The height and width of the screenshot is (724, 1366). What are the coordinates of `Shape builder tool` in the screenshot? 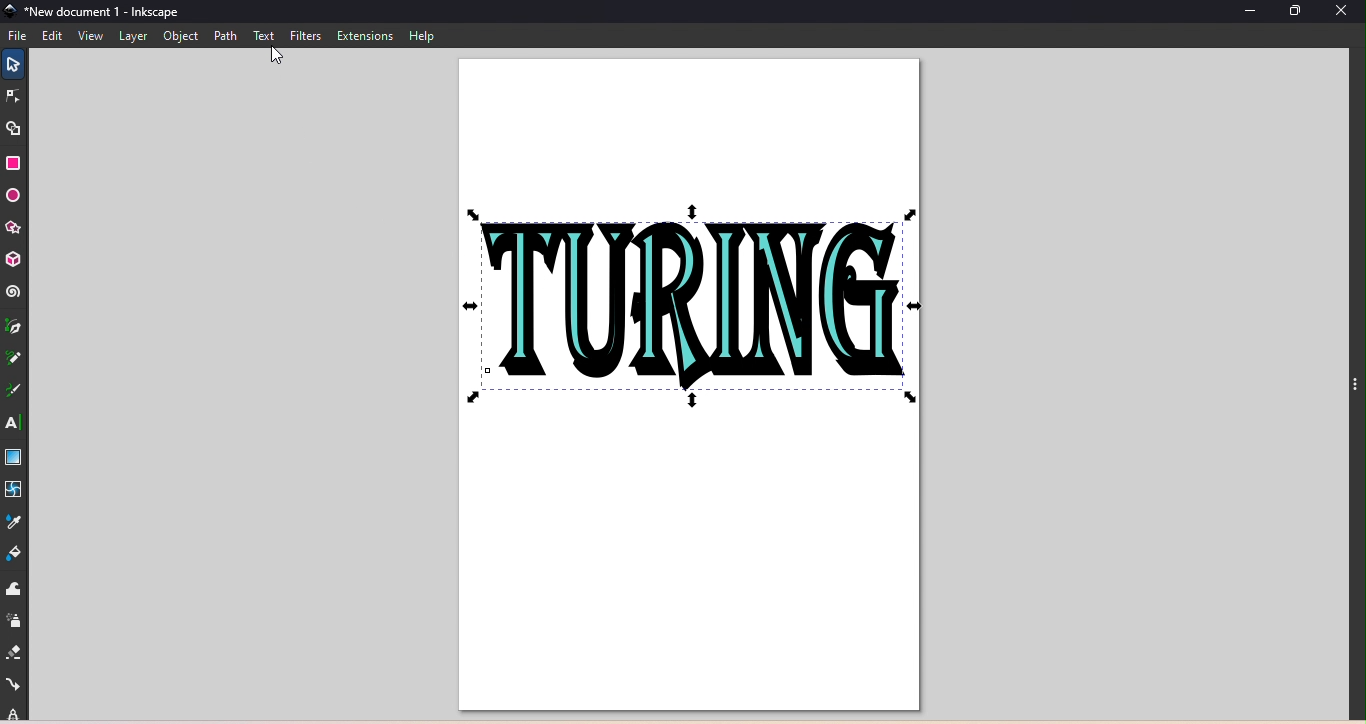 It's located at (19, 128).